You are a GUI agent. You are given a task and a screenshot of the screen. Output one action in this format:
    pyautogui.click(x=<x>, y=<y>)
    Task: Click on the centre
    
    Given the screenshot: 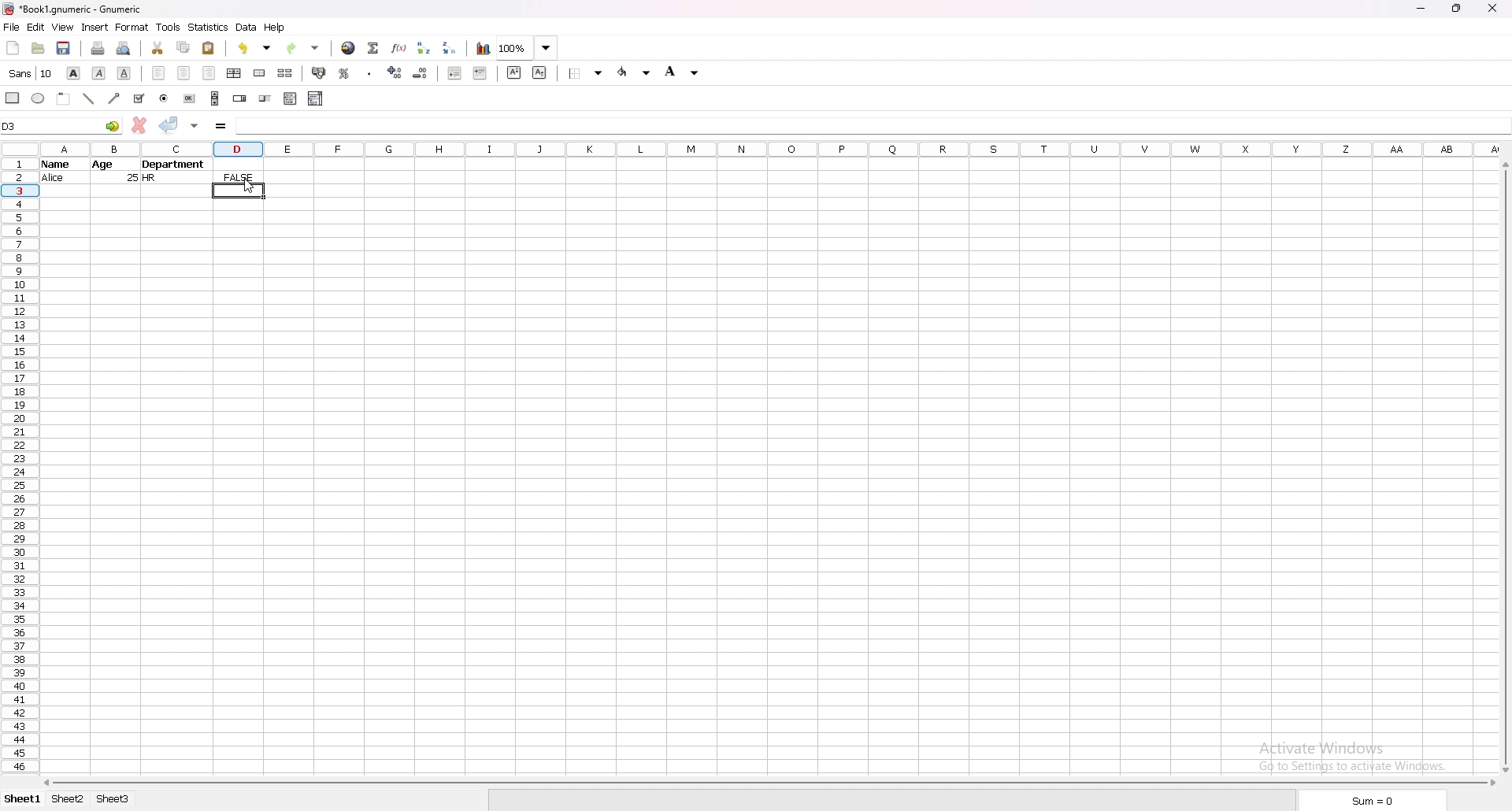 What is the action you would take?
    pyautogui.click(x=183, y=72)
    